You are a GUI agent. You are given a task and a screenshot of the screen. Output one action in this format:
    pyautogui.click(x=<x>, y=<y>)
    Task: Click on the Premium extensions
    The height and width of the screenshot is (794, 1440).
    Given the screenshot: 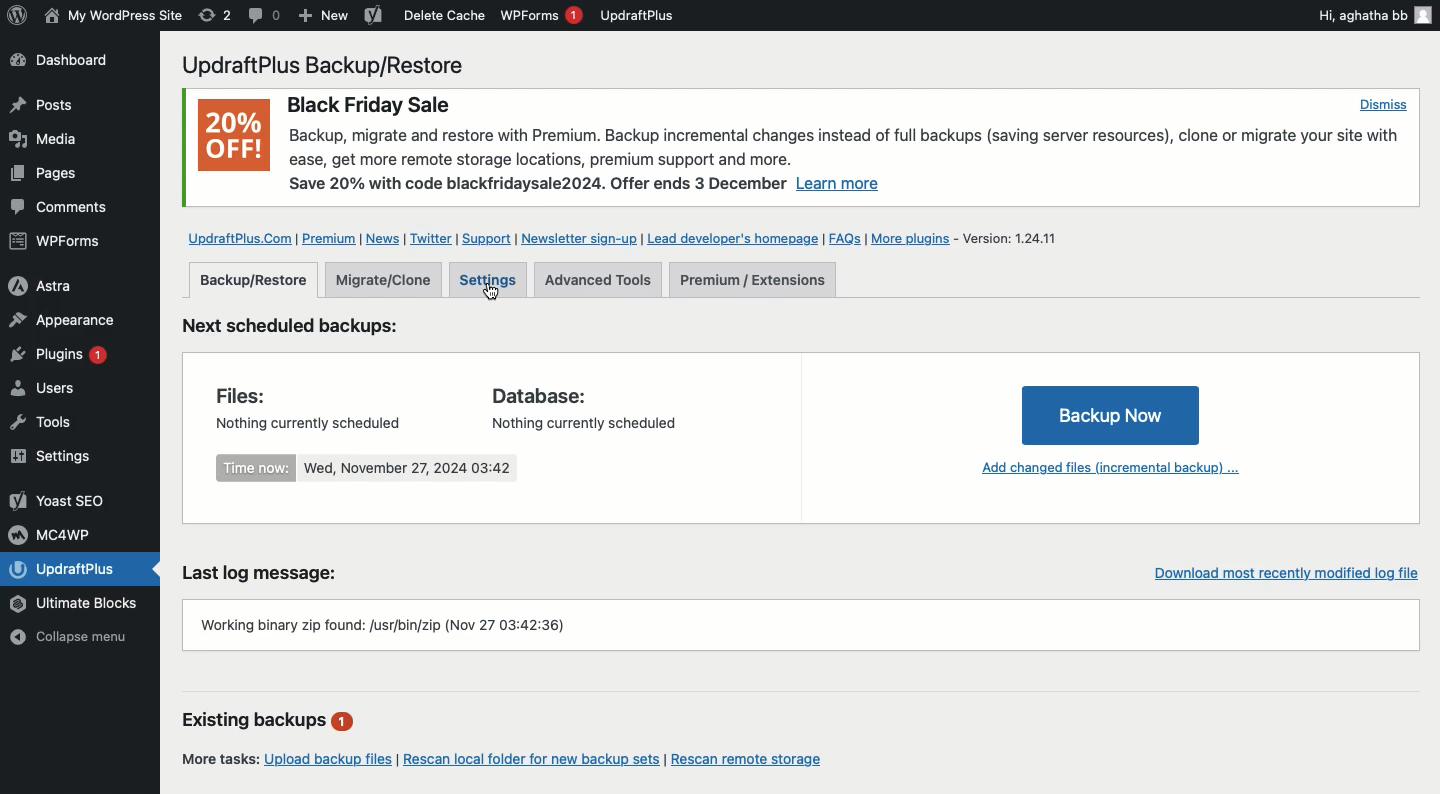 What is the action you would take?
    pyautogui.click(x=752, y=281)
    